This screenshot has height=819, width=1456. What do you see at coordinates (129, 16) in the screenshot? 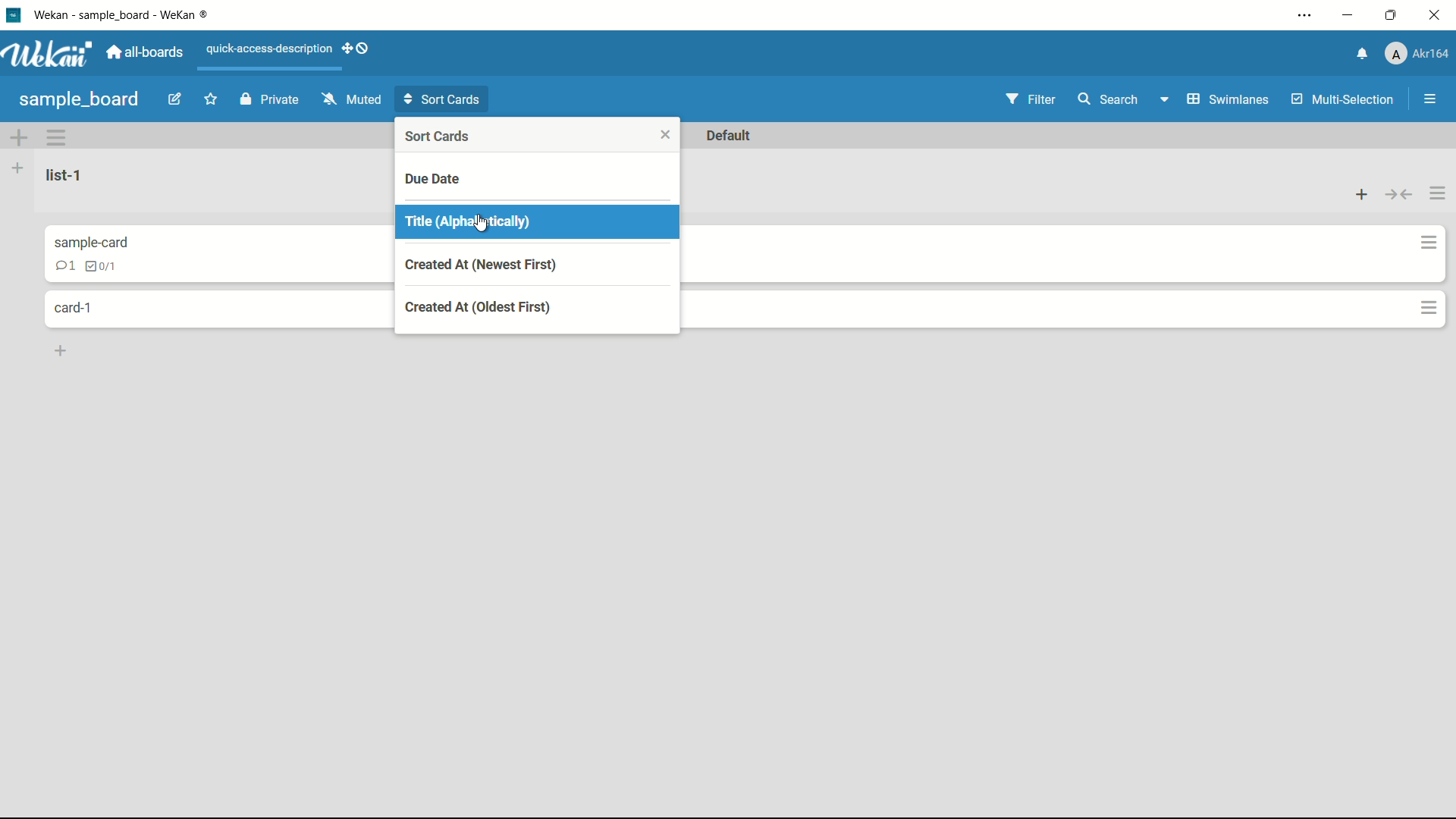
I see `wekan` at bounding box center [129, 16].